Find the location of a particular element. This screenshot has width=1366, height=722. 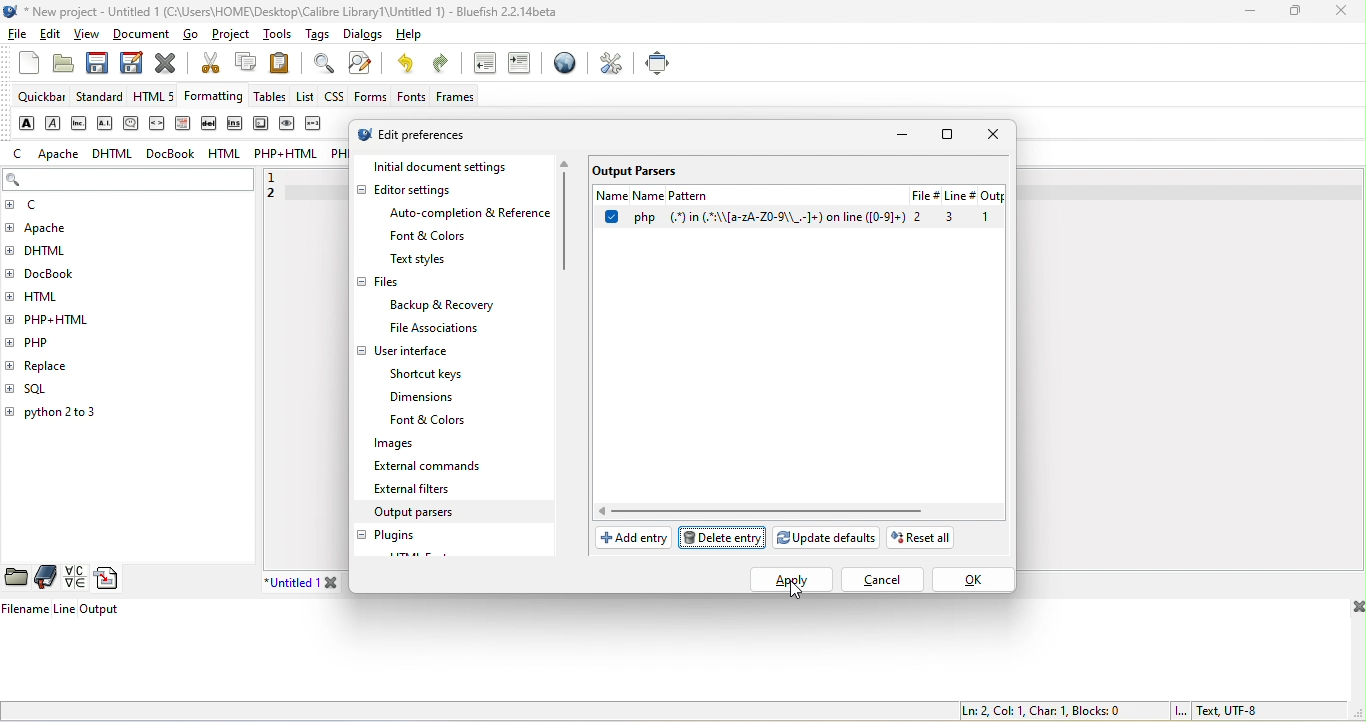

text, utf 8 is located at coordinates (1215, 711).